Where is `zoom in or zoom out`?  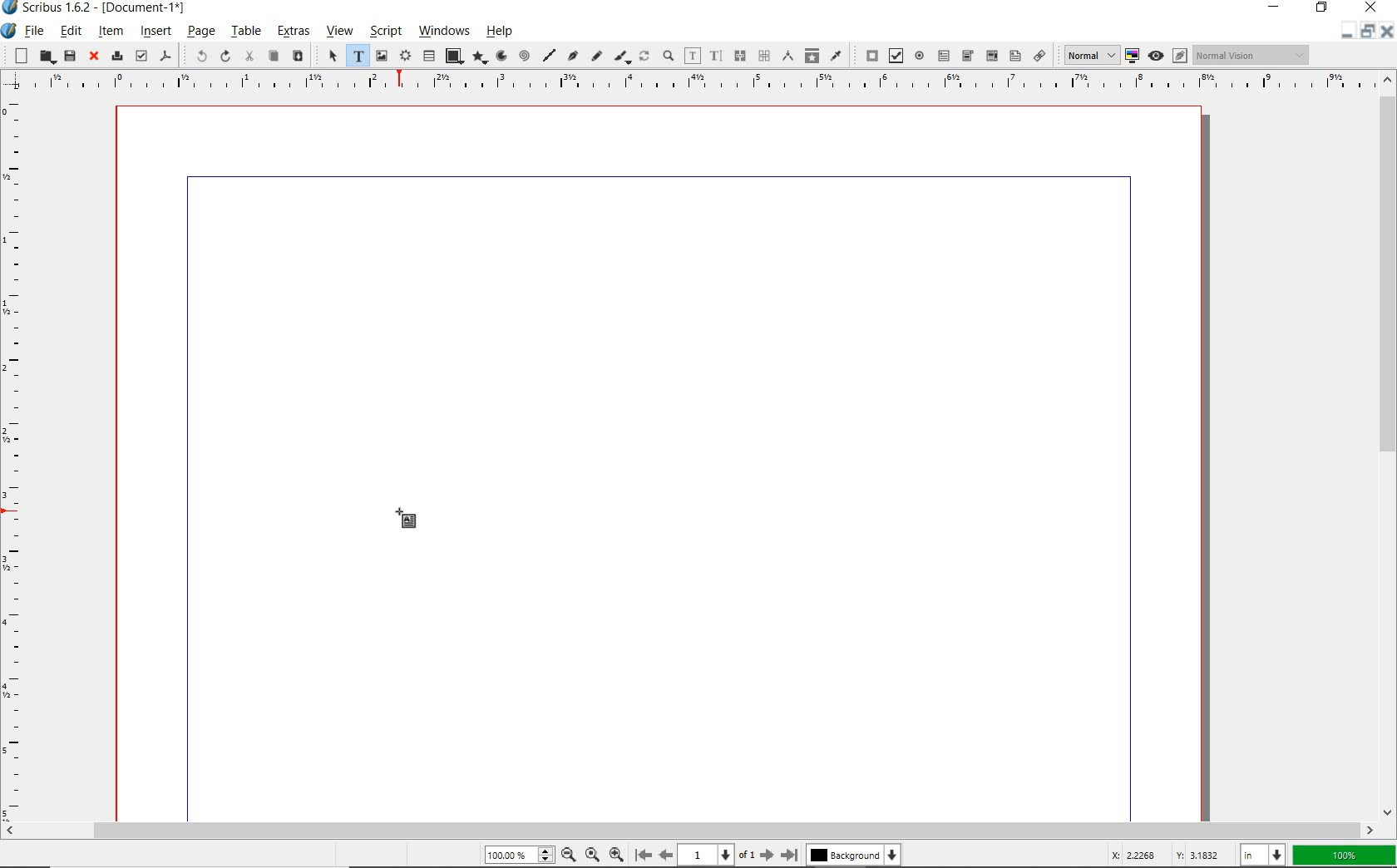 zoom in or zoom out is located at coordinates (668, 57).